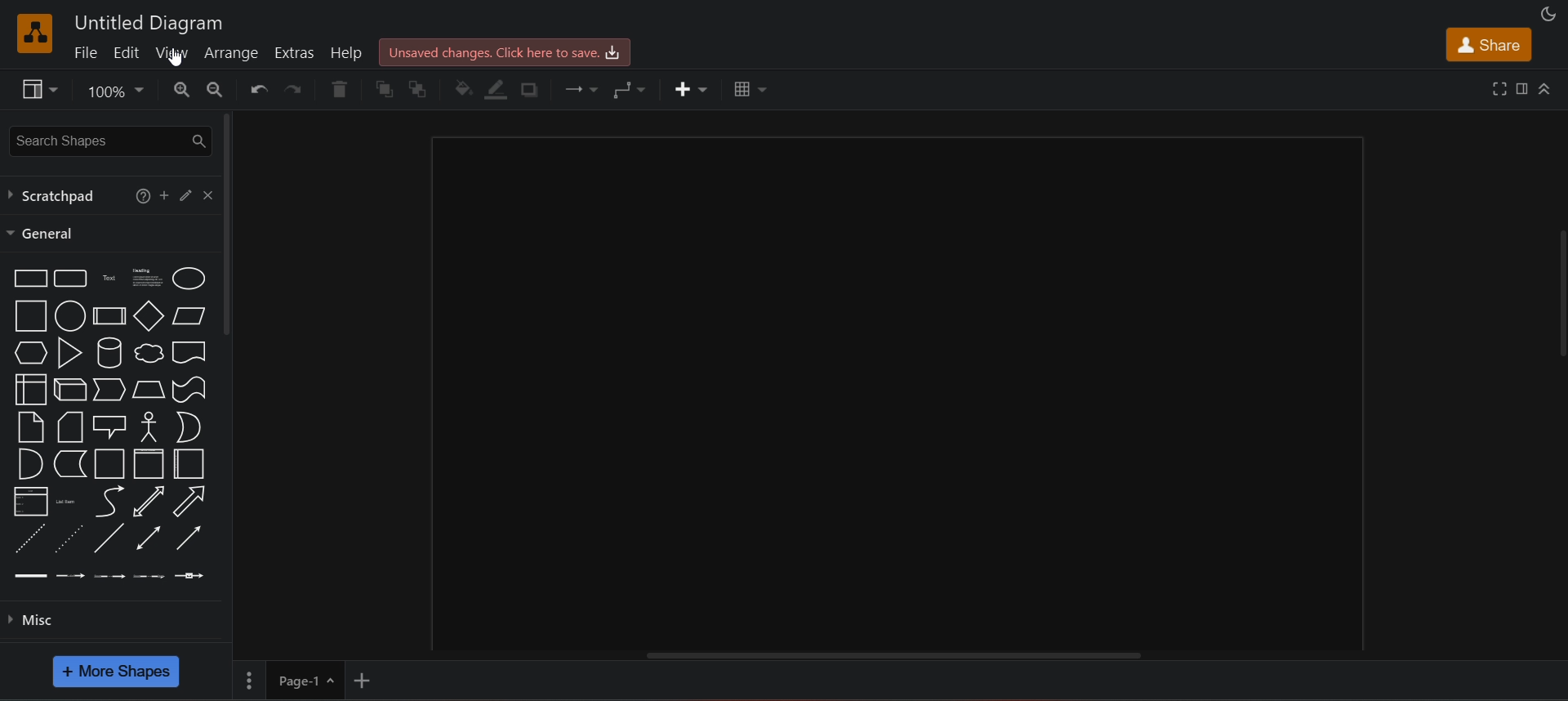  Describe the element at coordinates (173, 52) in the screenshot. I see `view` at that location.